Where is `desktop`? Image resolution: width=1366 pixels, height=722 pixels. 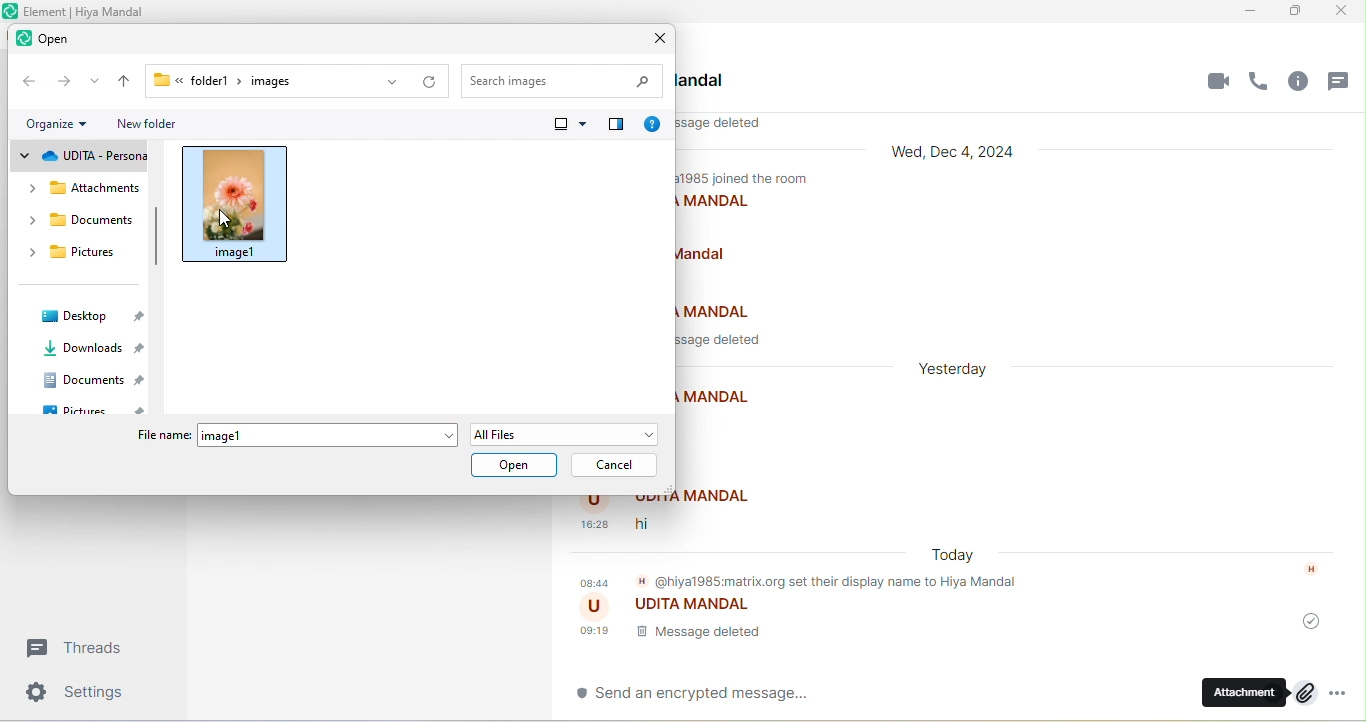
desktop is located at coordinates (88, 317).